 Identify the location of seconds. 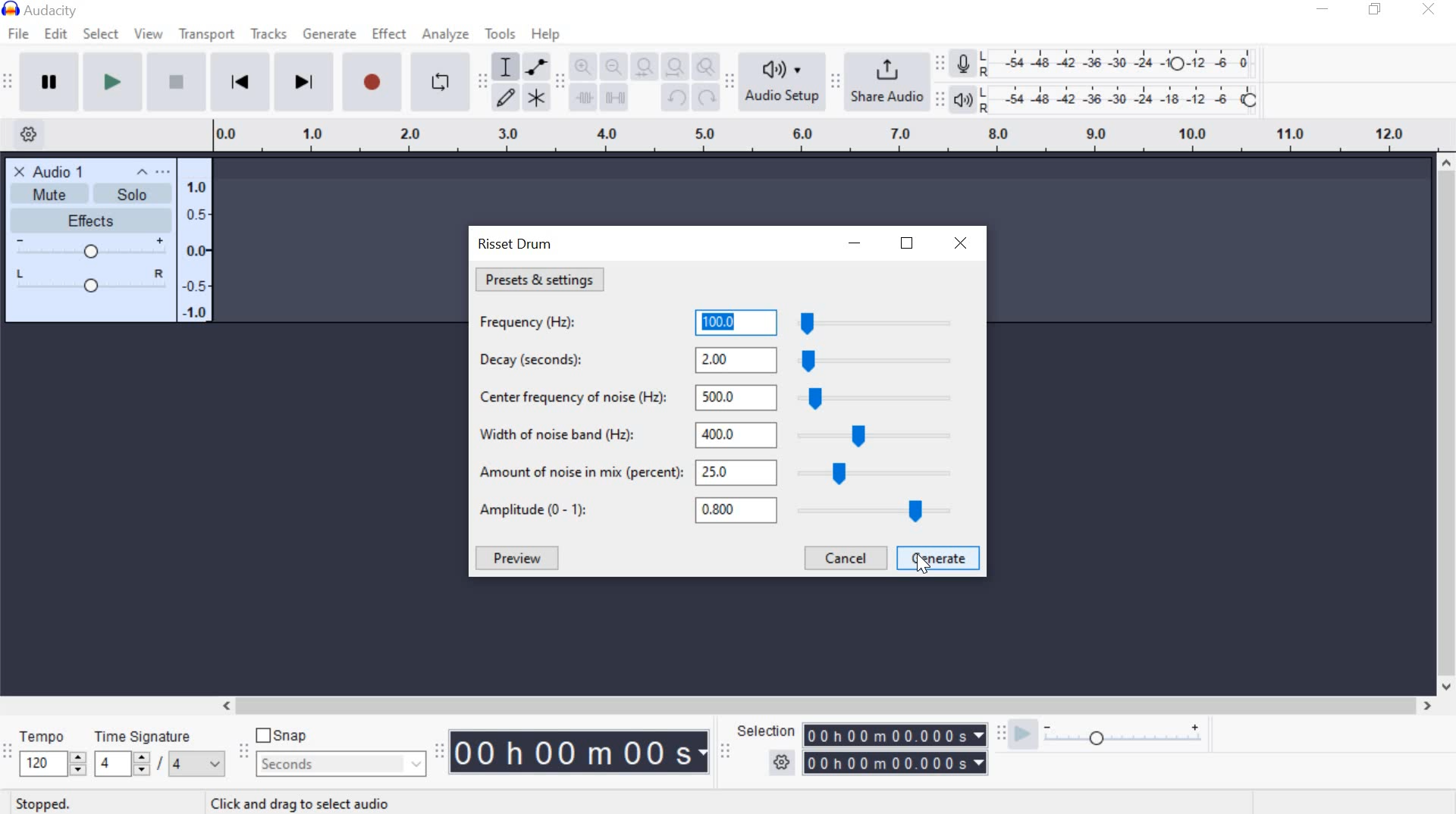
(342, 765).